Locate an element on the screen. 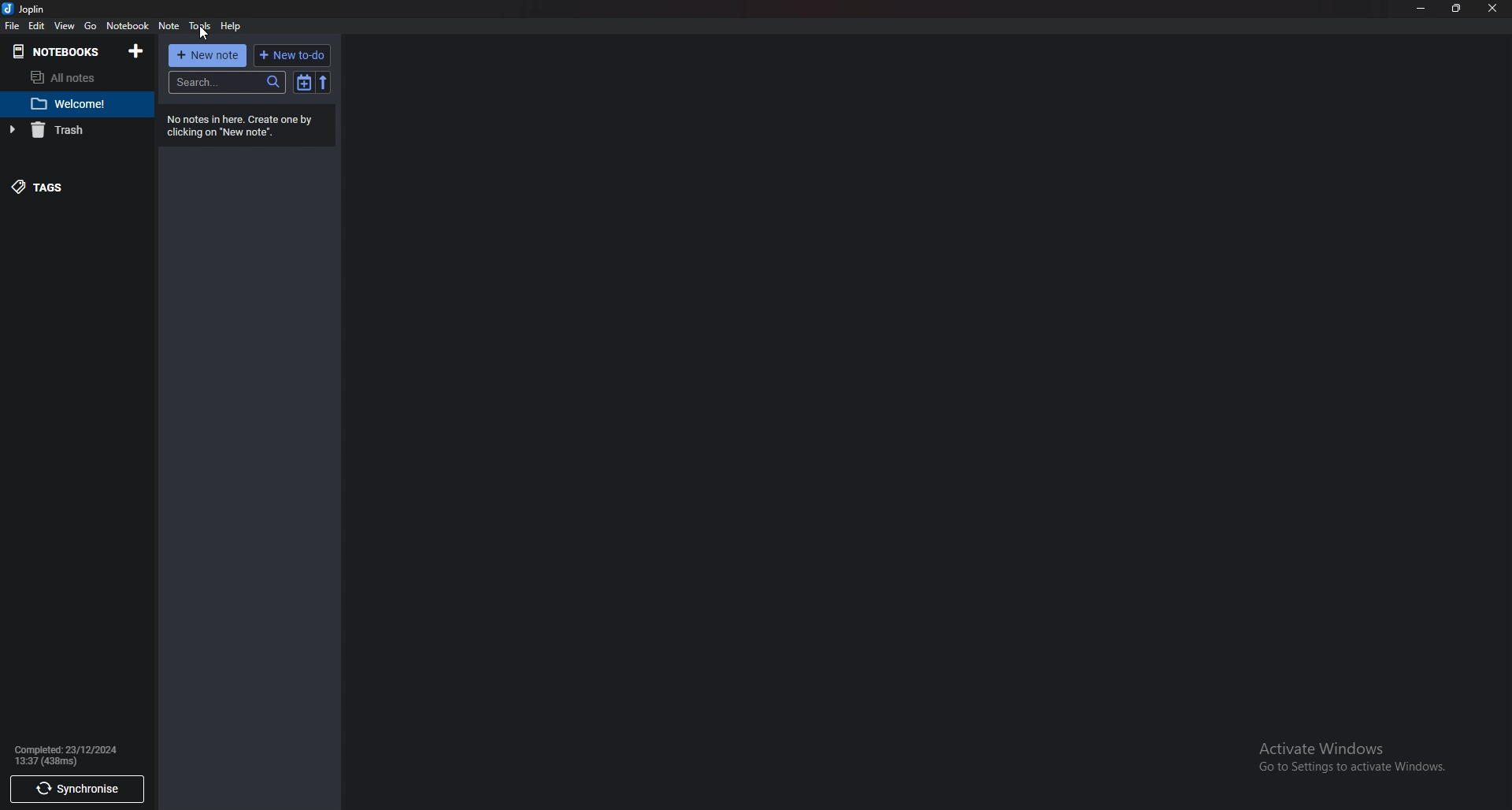 The width and height of the screenshot is (1512, 810). minimize is located at coordinates (1421, 9).